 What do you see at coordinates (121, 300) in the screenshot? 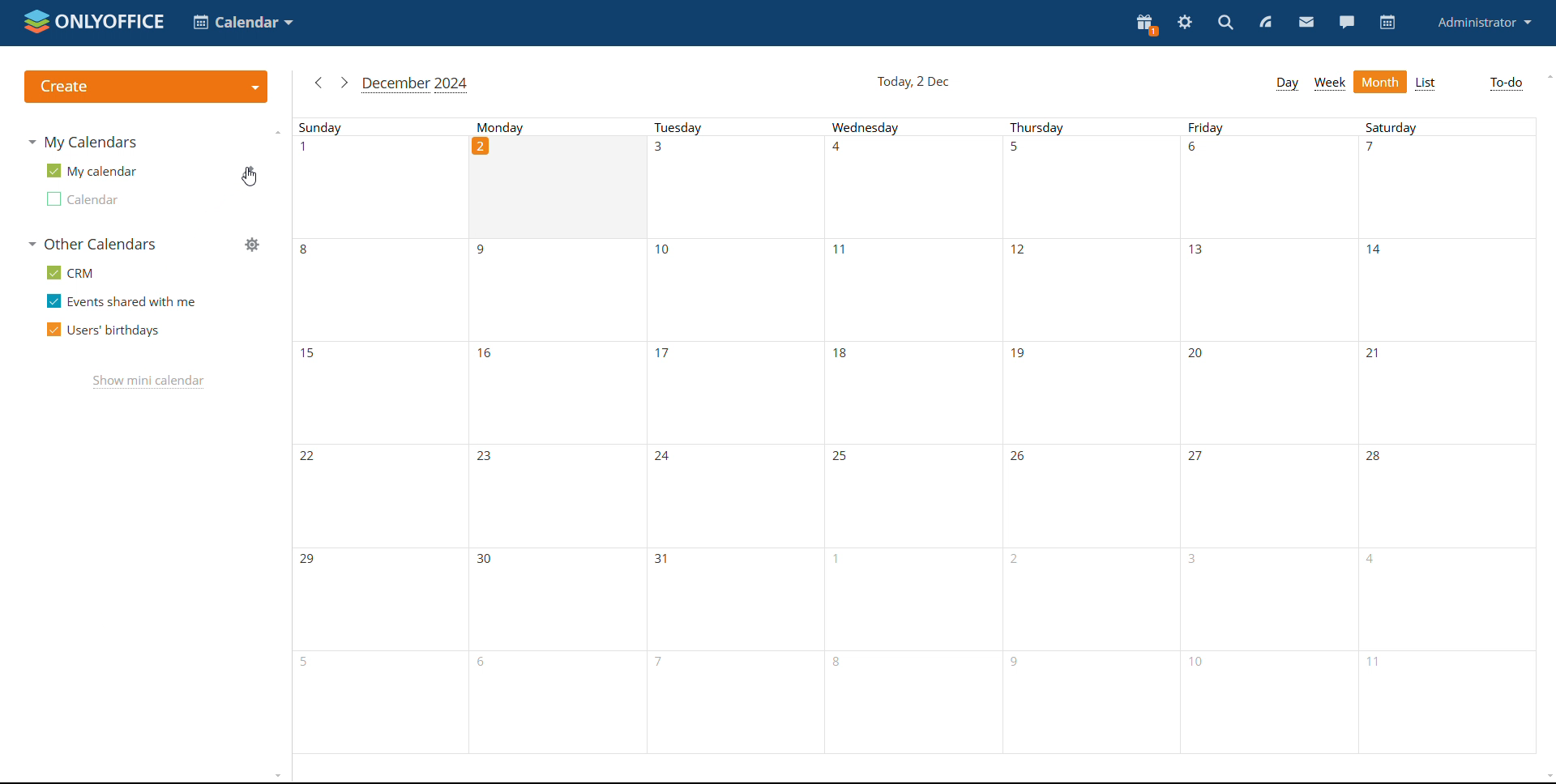
I see `events shared with me` at bounding box center [121, 300].